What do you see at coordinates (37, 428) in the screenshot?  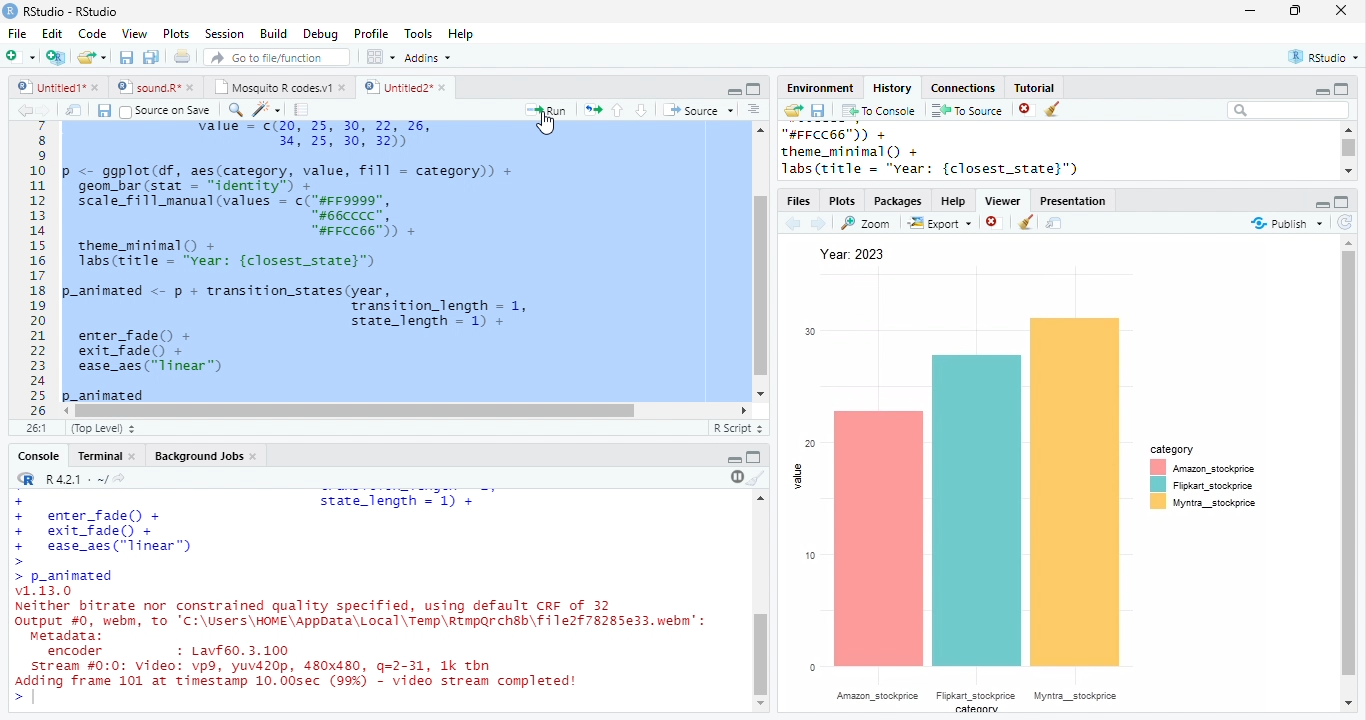 I see `26:1` at bounding box center [37, 428].